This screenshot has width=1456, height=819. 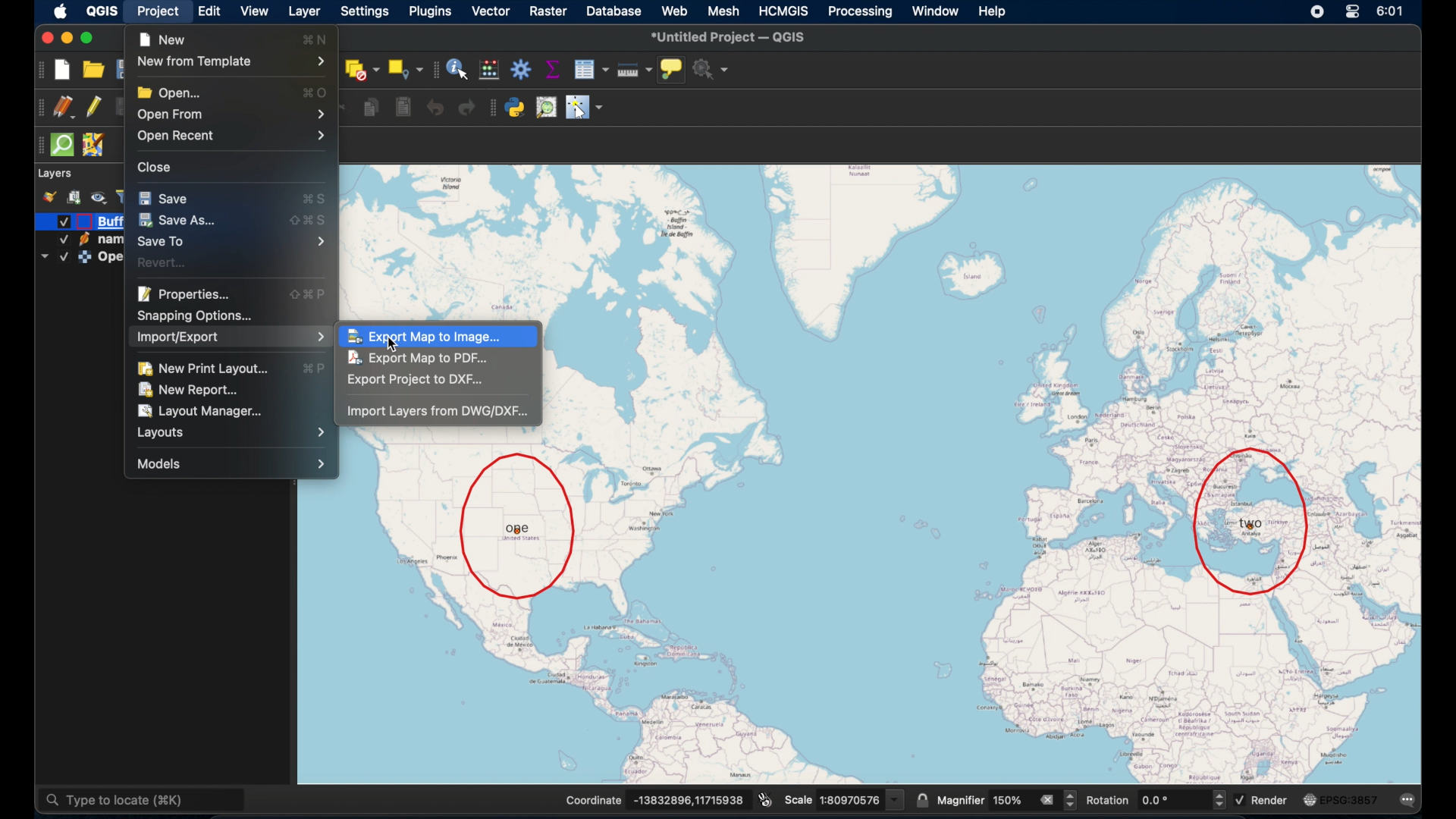 What do you see at coordinates (554, 68) in the screenshot?
I see `show statistical summary` at bounding box center [554, 68].